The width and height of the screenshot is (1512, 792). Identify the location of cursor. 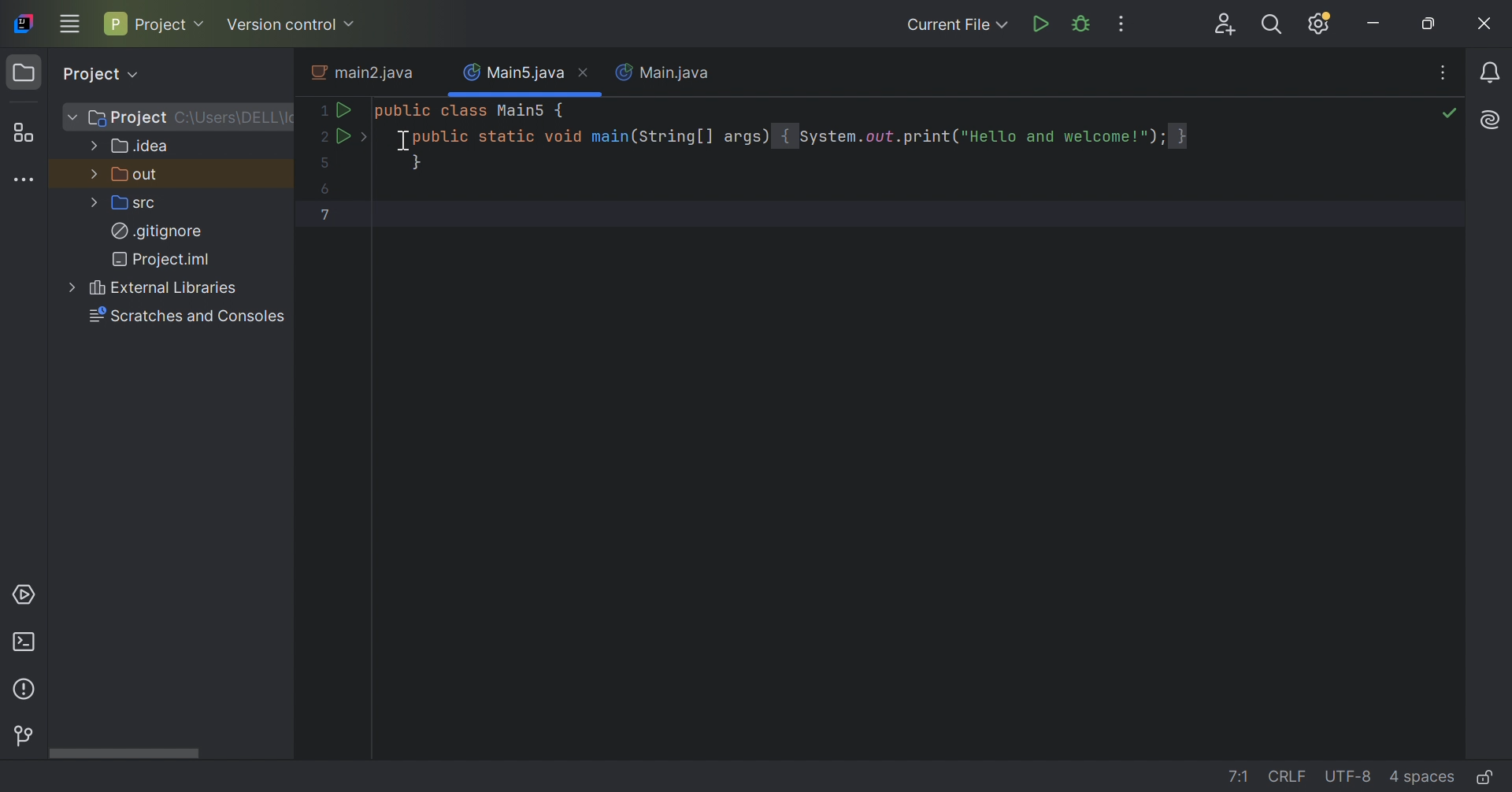
(404, 142).